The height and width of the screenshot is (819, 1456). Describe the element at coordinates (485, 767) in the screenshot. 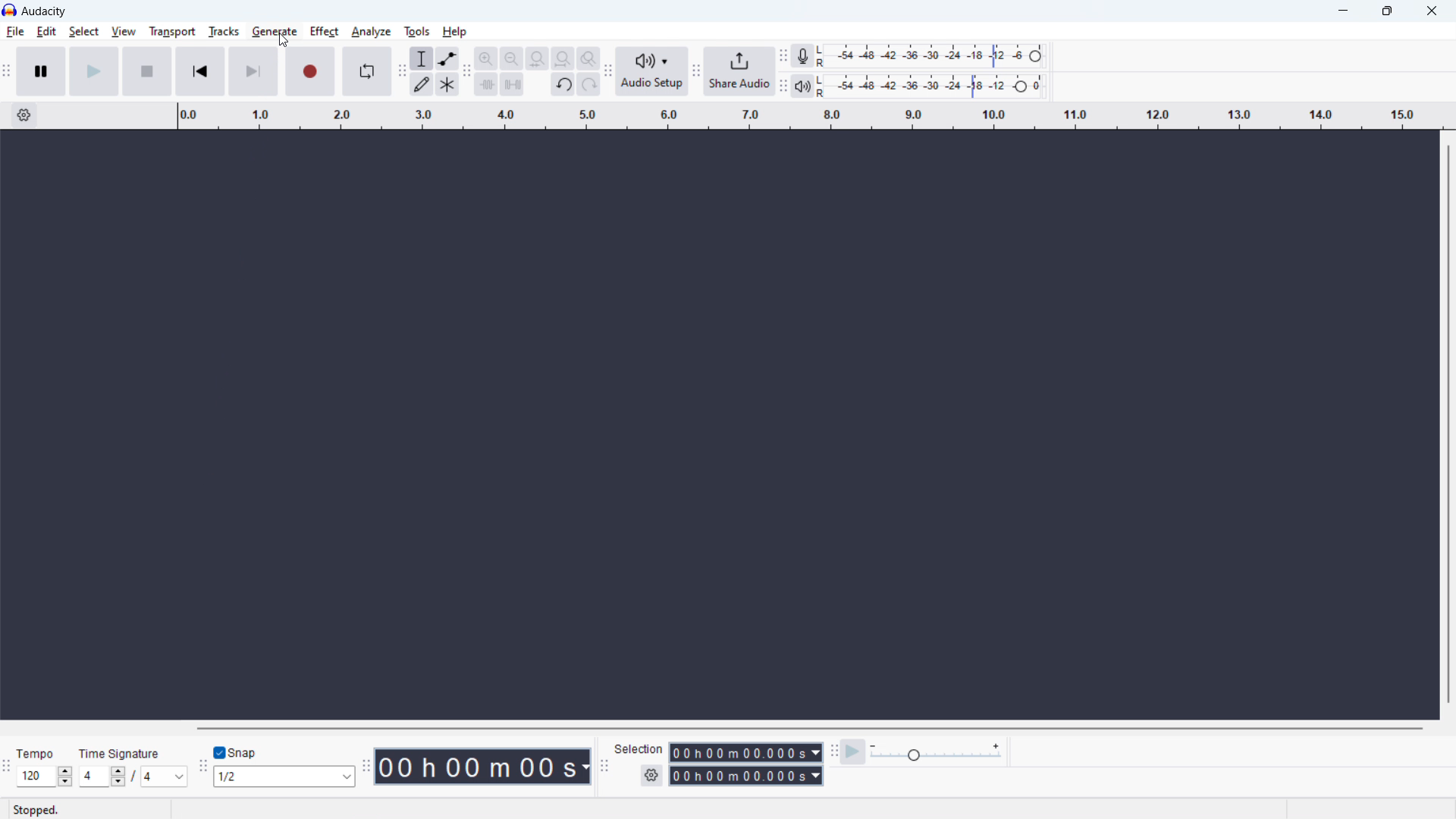

I see `timestamp` at that location.